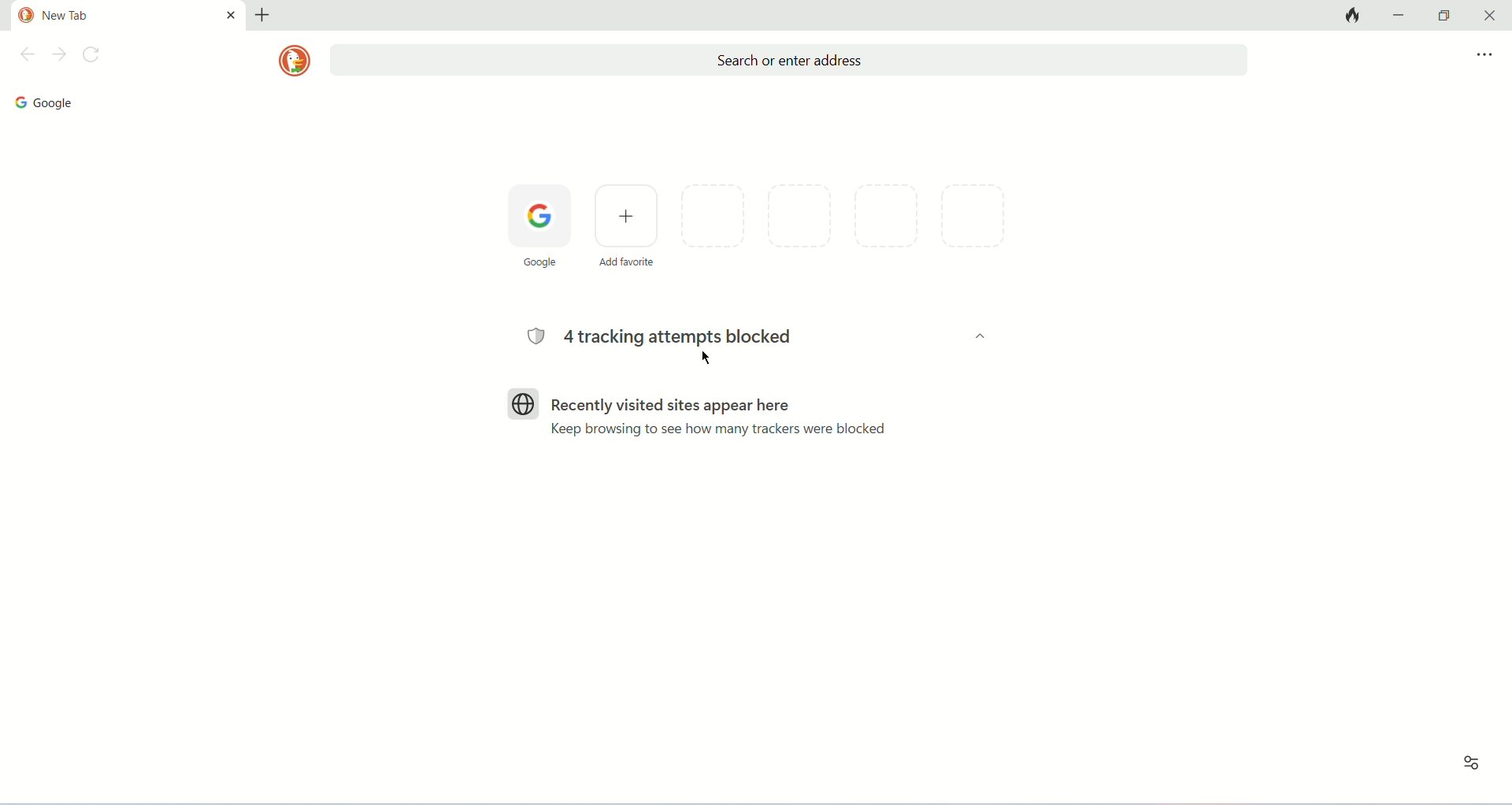  I want to click on keep browsing to see how many trackers were blocked, so click(720, 428).